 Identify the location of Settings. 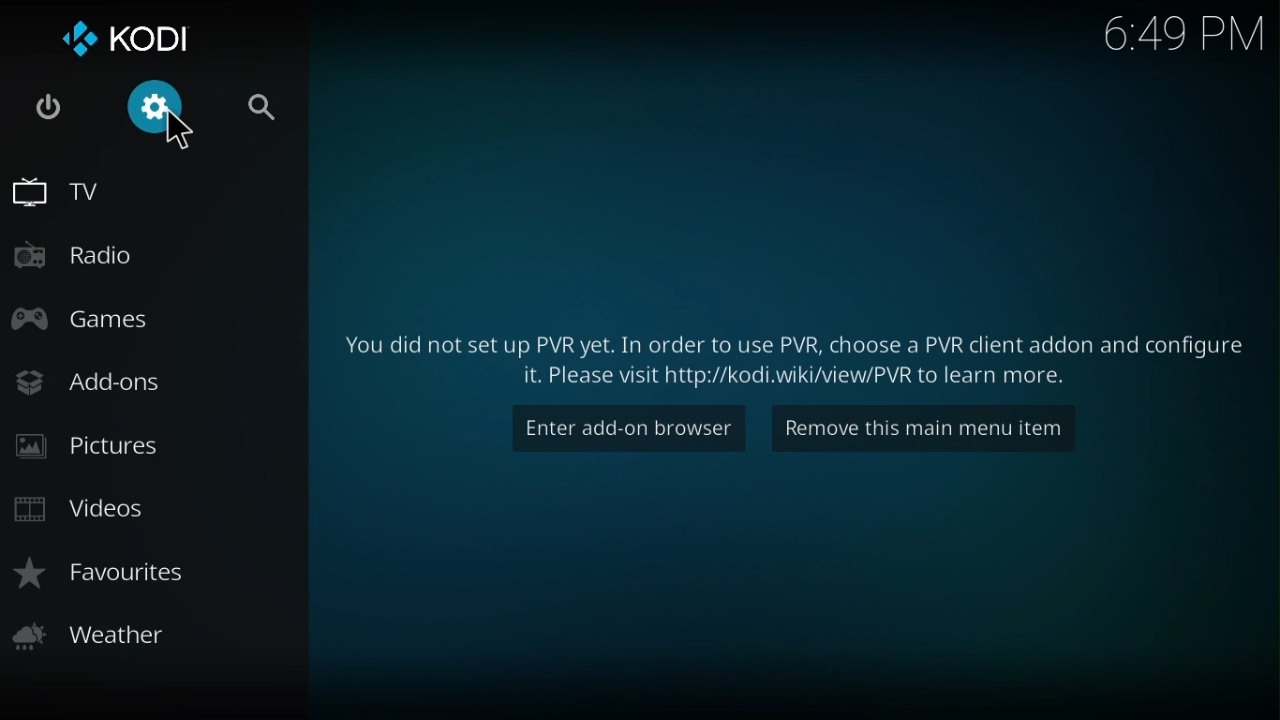
(162, 107).